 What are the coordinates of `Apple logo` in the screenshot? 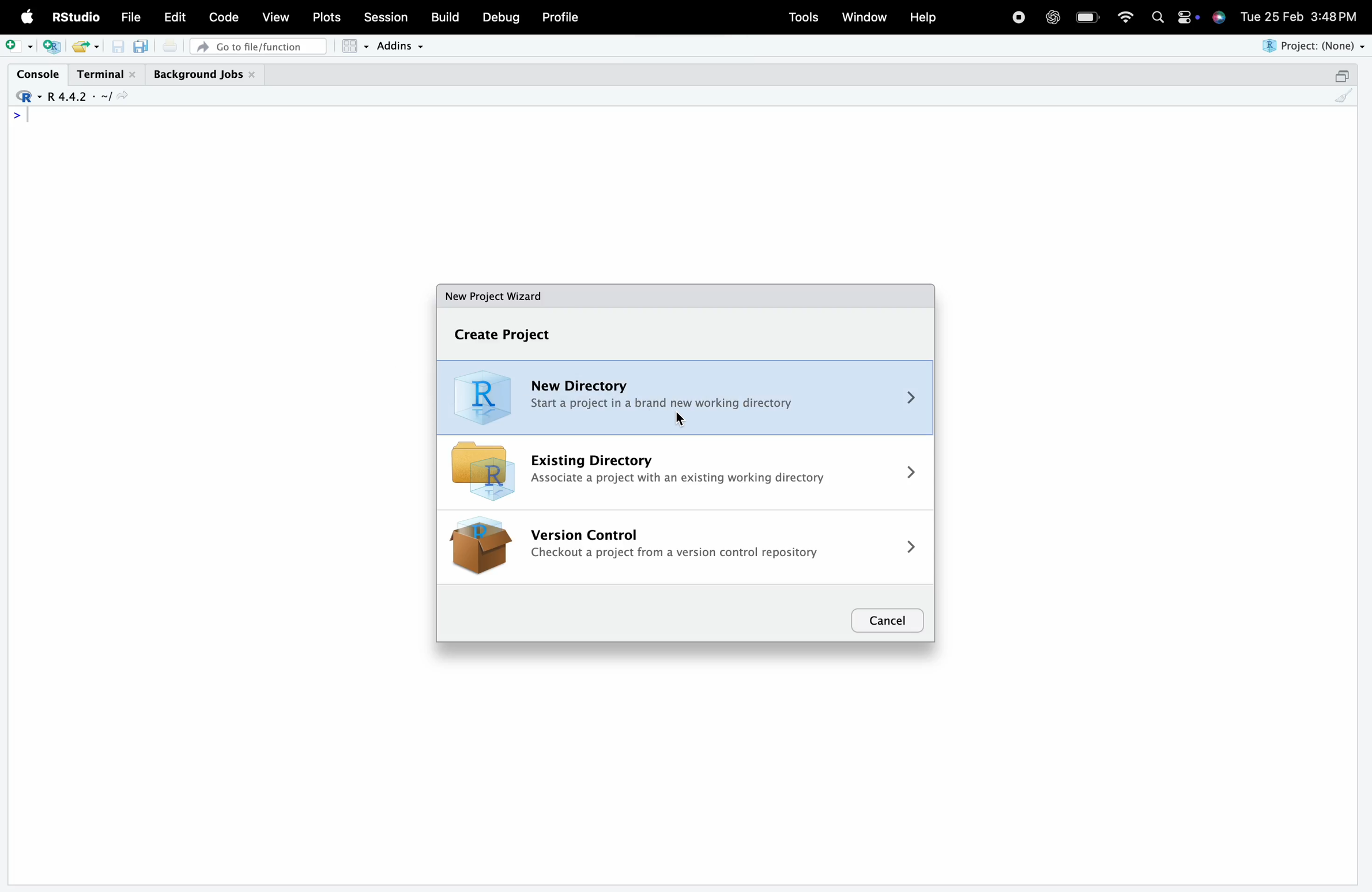 It's located at (28, 17).